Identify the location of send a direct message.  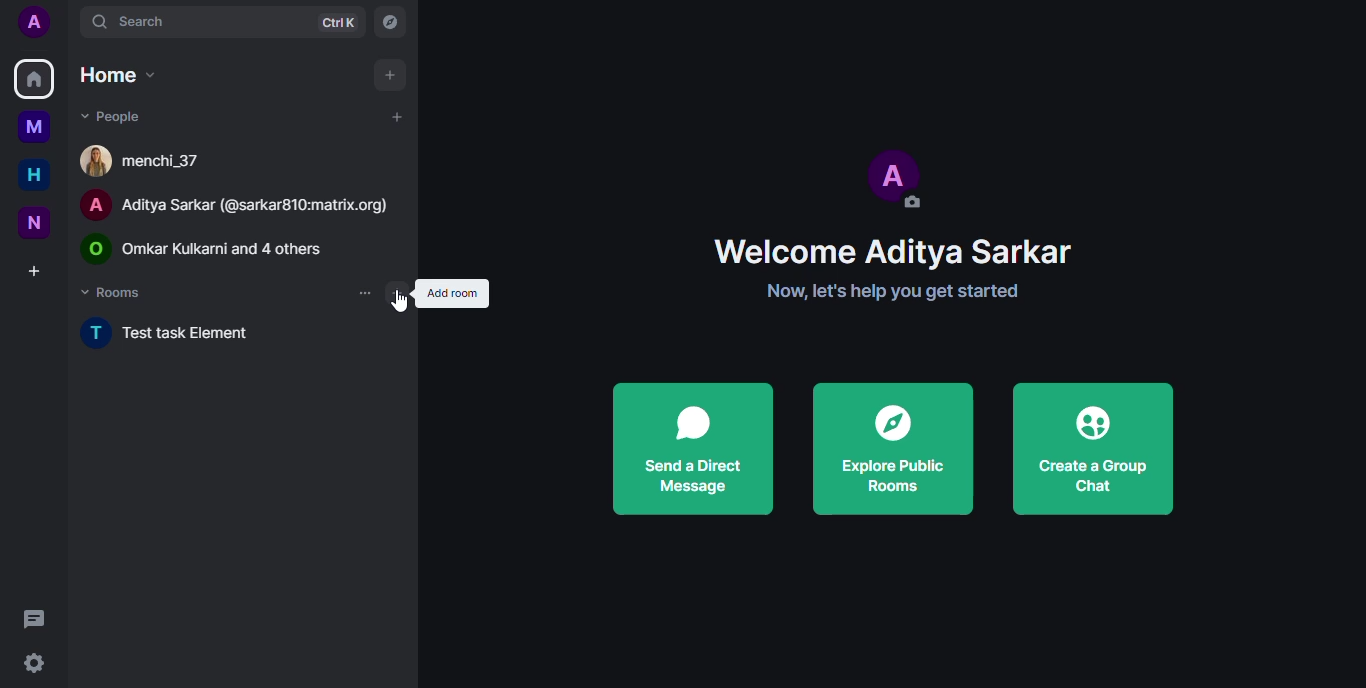
(694, 450).